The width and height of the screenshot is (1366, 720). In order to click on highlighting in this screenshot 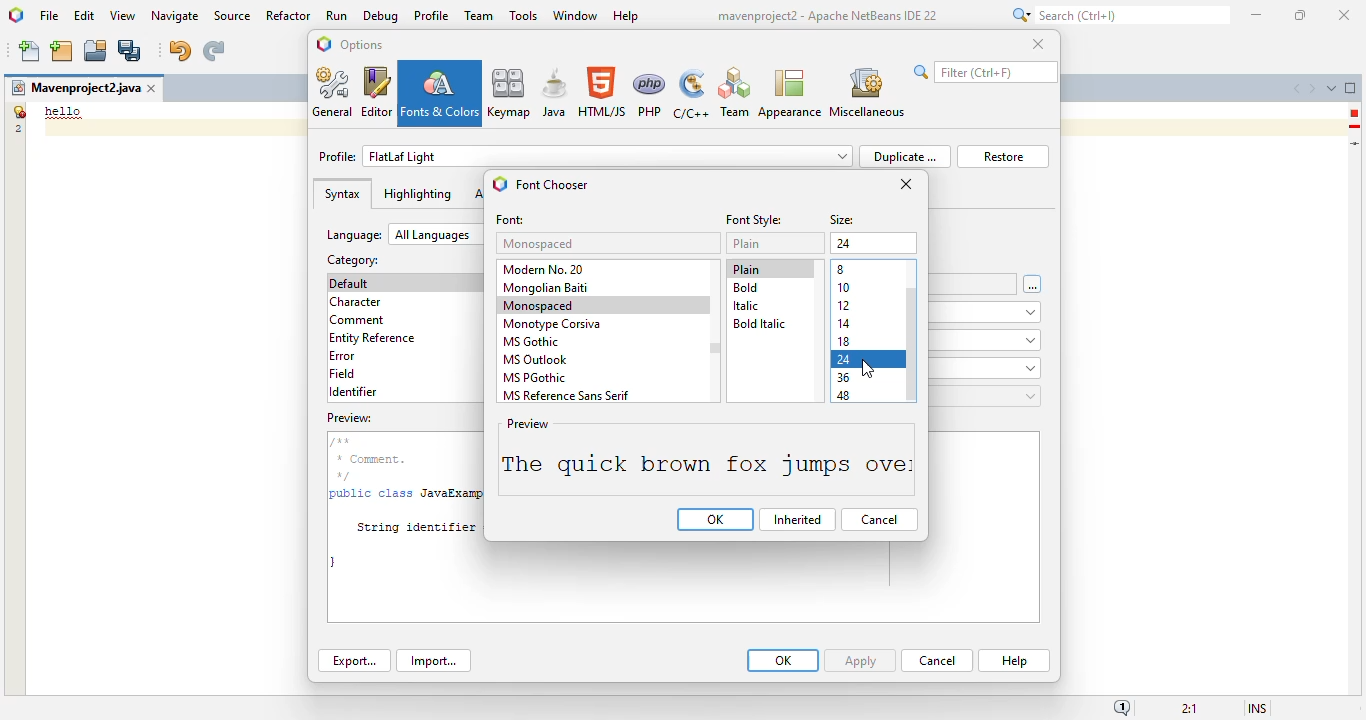, I will do `click(417, 194)`.